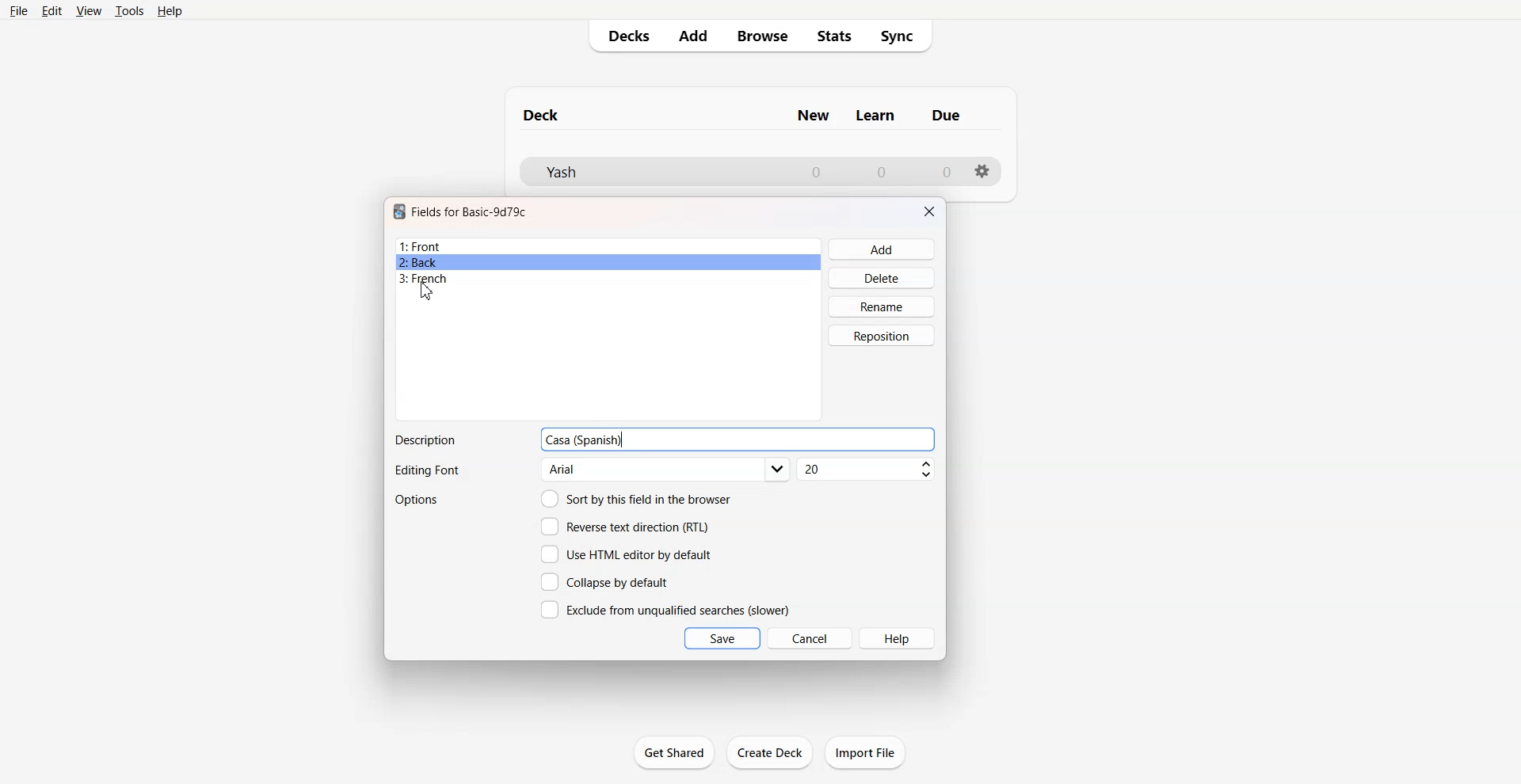 This screenshot has width=1521, height=784. I want to click on Number of due cards, so click(947, 172).